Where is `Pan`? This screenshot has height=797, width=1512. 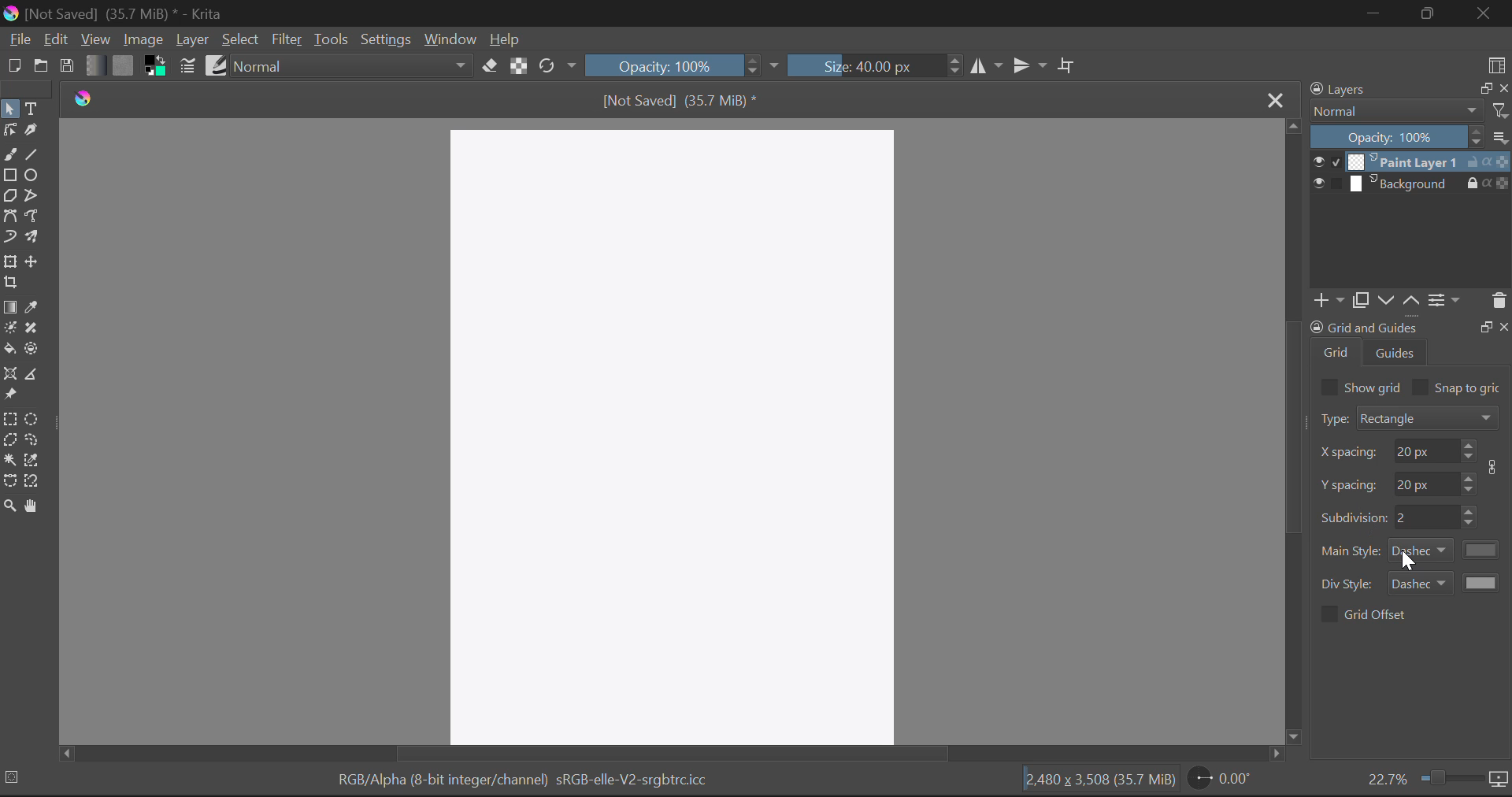 Pan is located at coordinates (34, 506).